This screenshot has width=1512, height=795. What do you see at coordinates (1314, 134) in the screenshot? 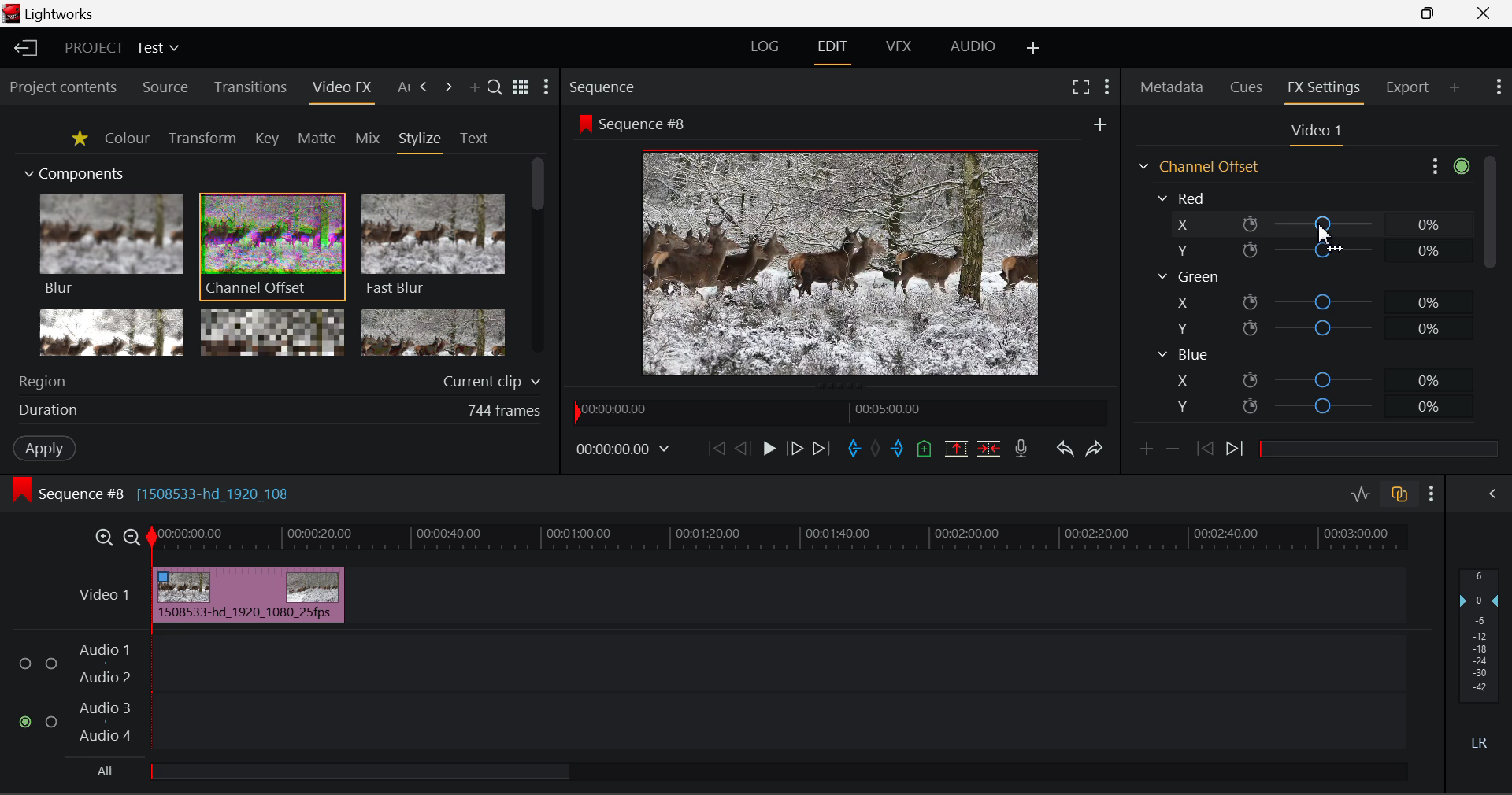
I see `Video Settings` at bounding box center [1314, 134].